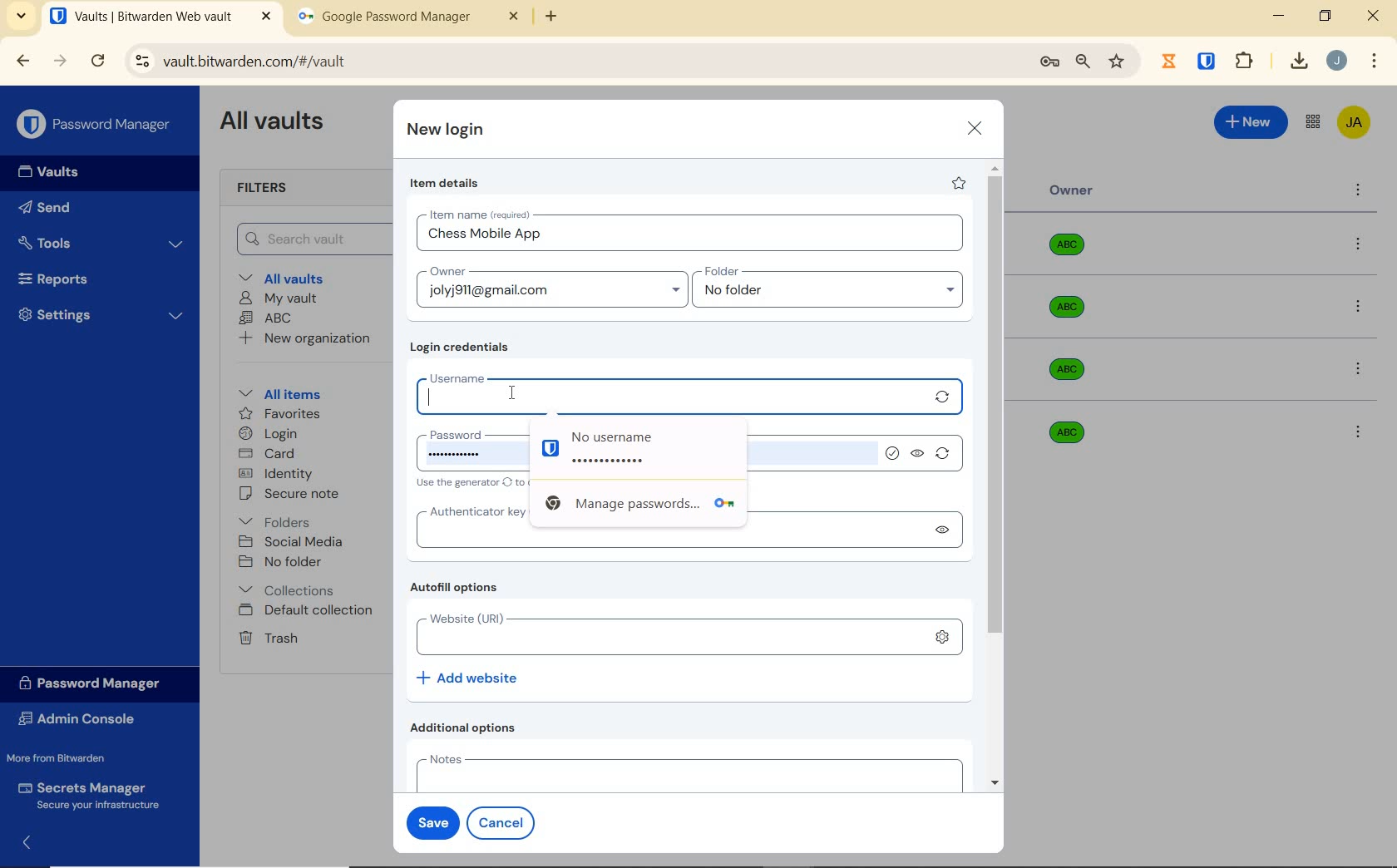 The height and width of the screenshot is (868, 1397). What do you see at coordinates (303, 338) in the screenshot?
I see `New organization` at bounding box center [303, 338].